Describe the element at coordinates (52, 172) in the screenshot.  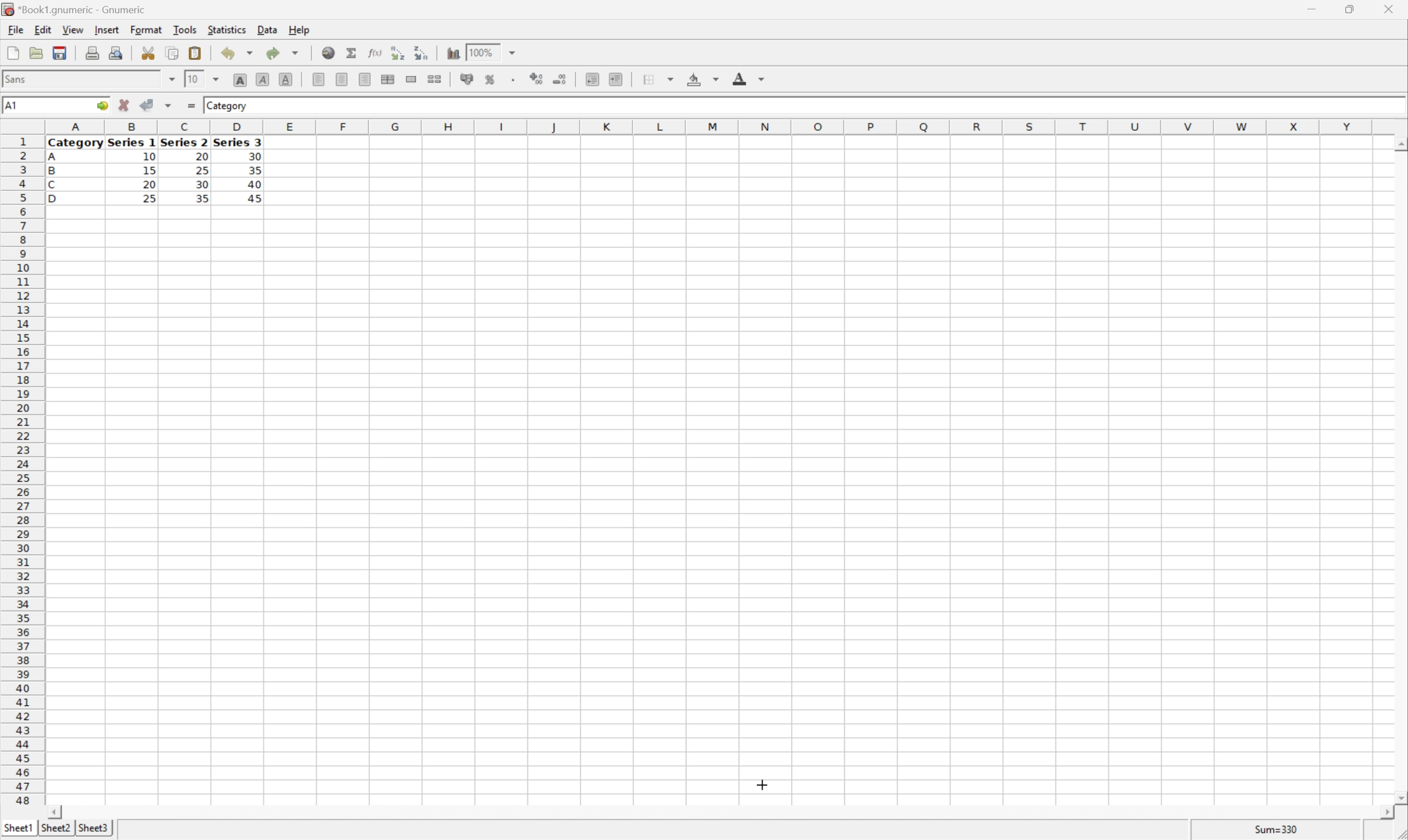
I see `B` at that location.